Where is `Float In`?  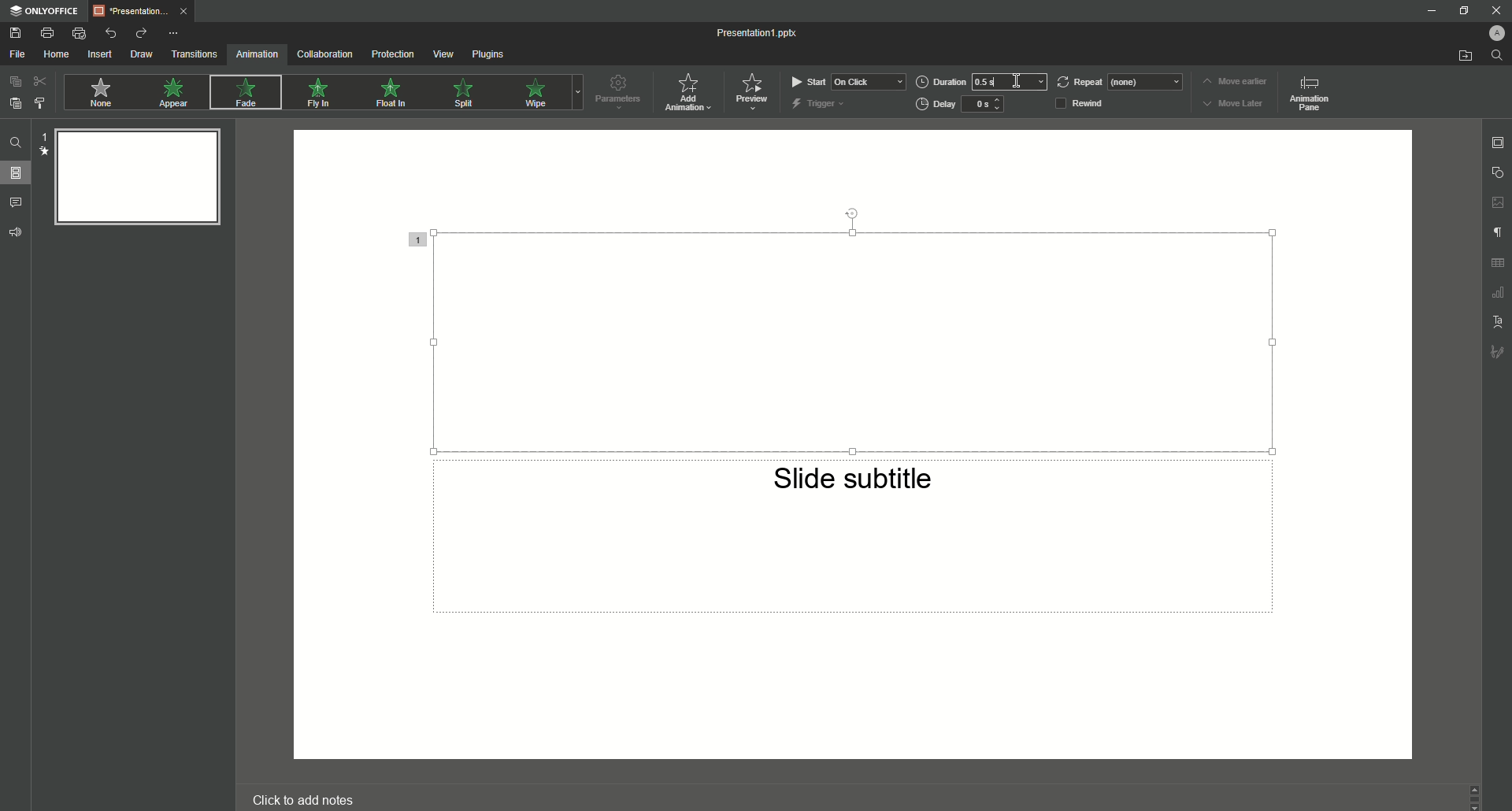 Float In is located at coordinates (393, 94).